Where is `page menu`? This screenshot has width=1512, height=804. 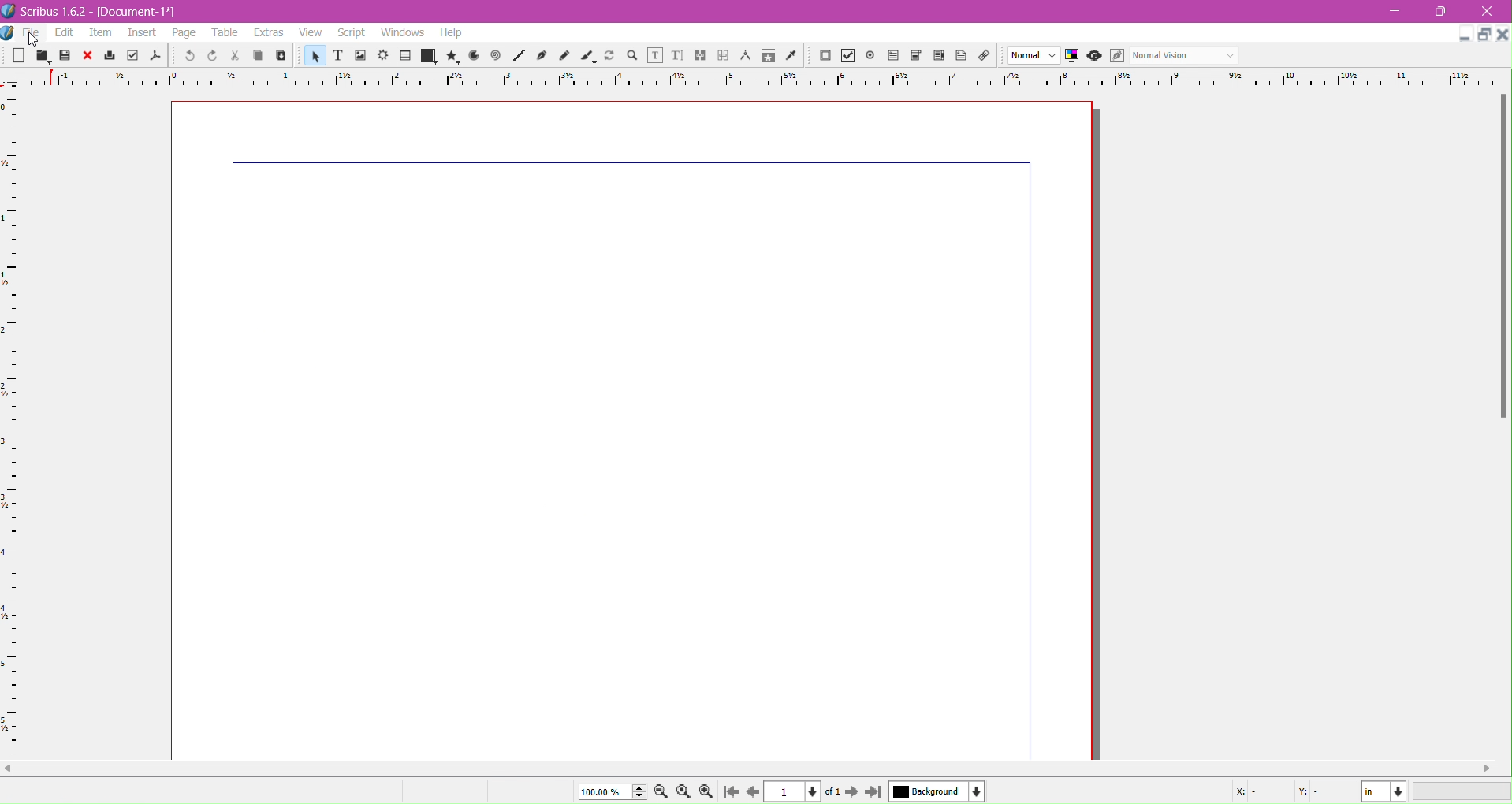
page menu is located at coordinates (184, 34).